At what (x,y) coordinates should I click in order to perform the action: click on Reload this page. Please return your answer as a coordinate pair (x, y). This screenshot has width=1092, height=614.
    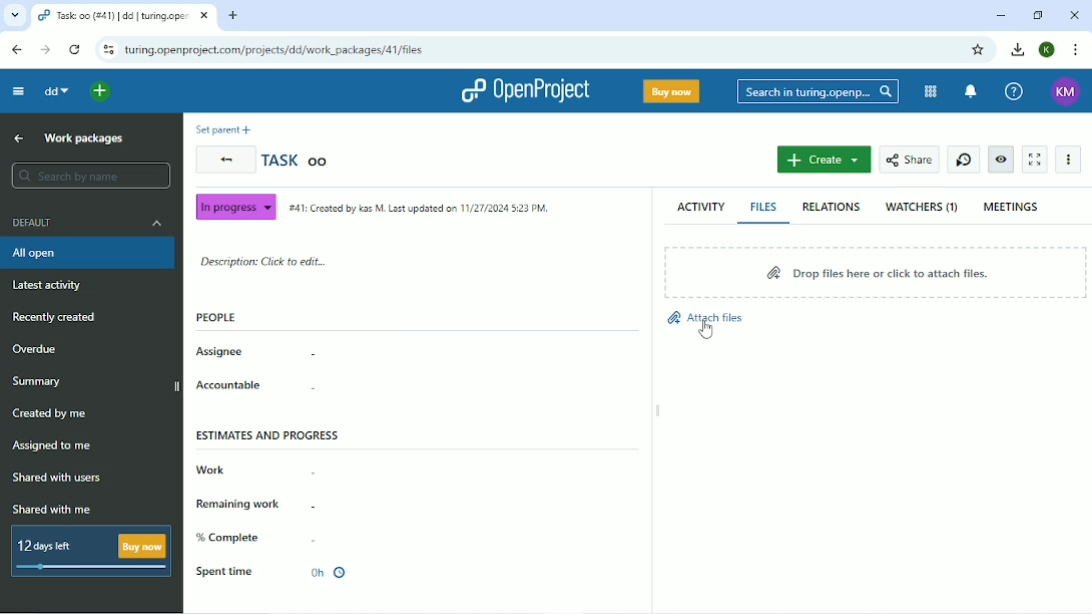
    Looking at the image, I should click on (77, 50).